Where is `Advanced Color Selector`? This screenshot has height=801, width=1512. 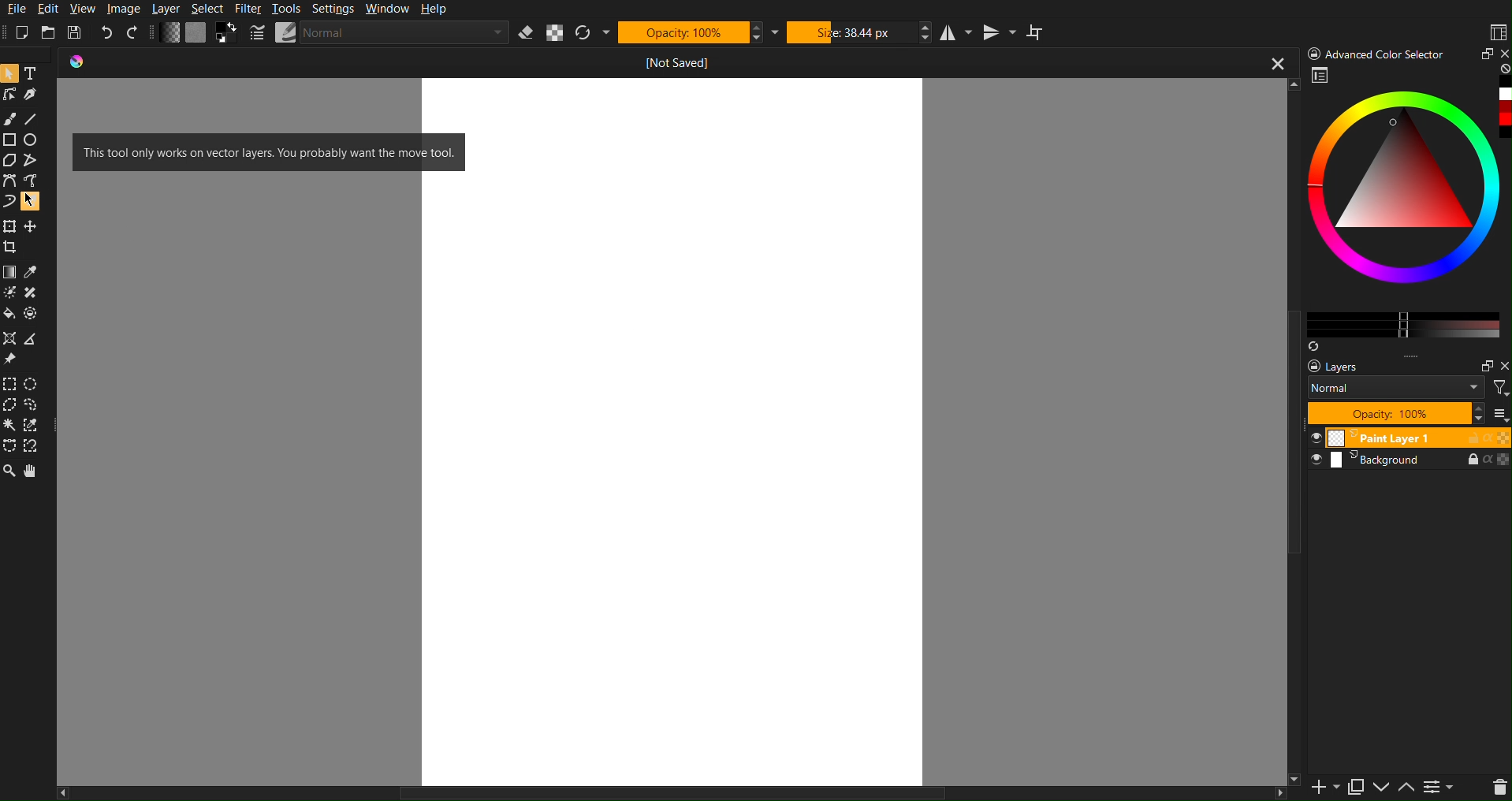
Advanced Color Selector is located at coordinates (1407, 208).